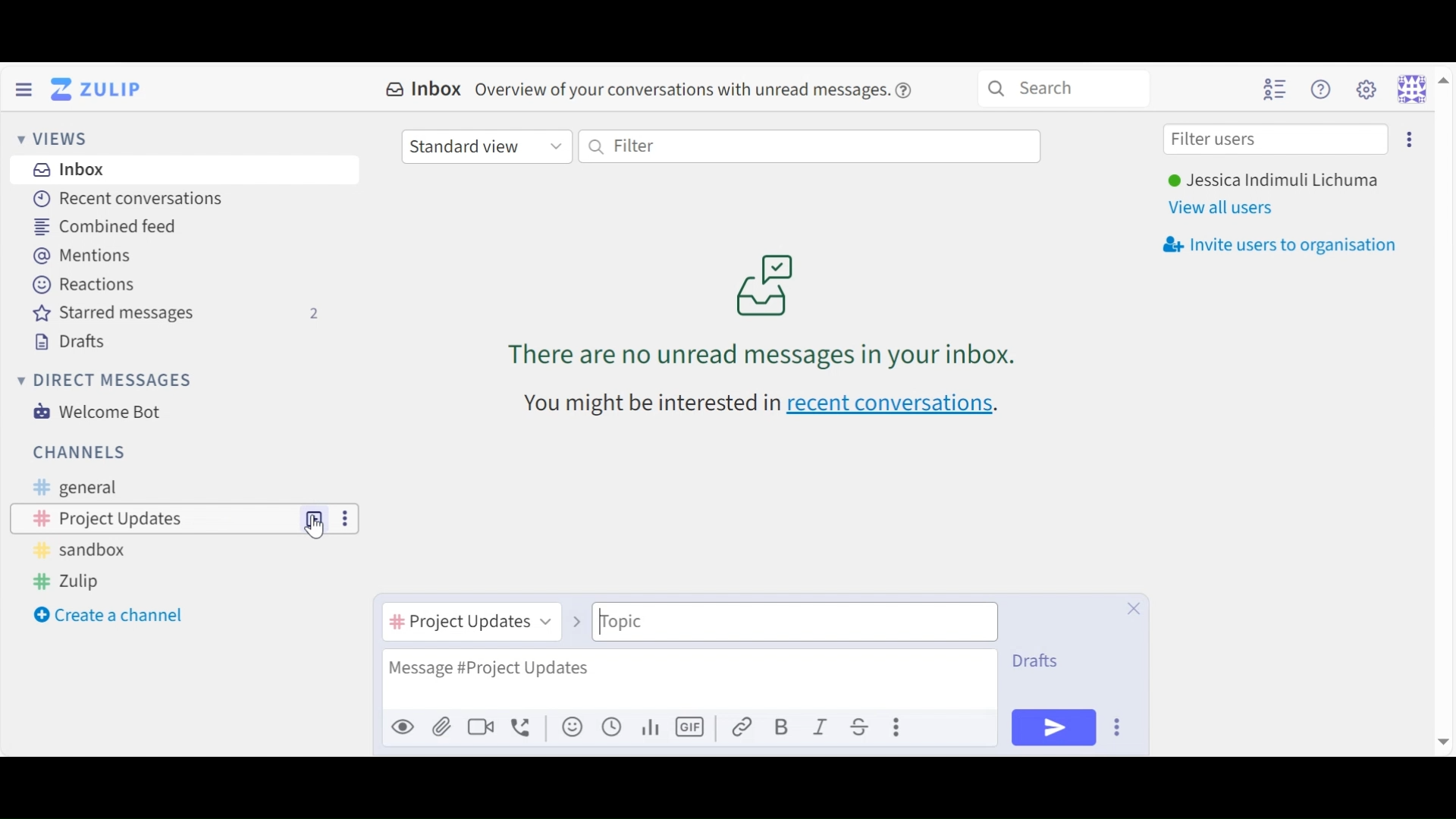 The height and width of the screenshot is (819, 1456). I want to click on Help menu, so click(1323, 89).